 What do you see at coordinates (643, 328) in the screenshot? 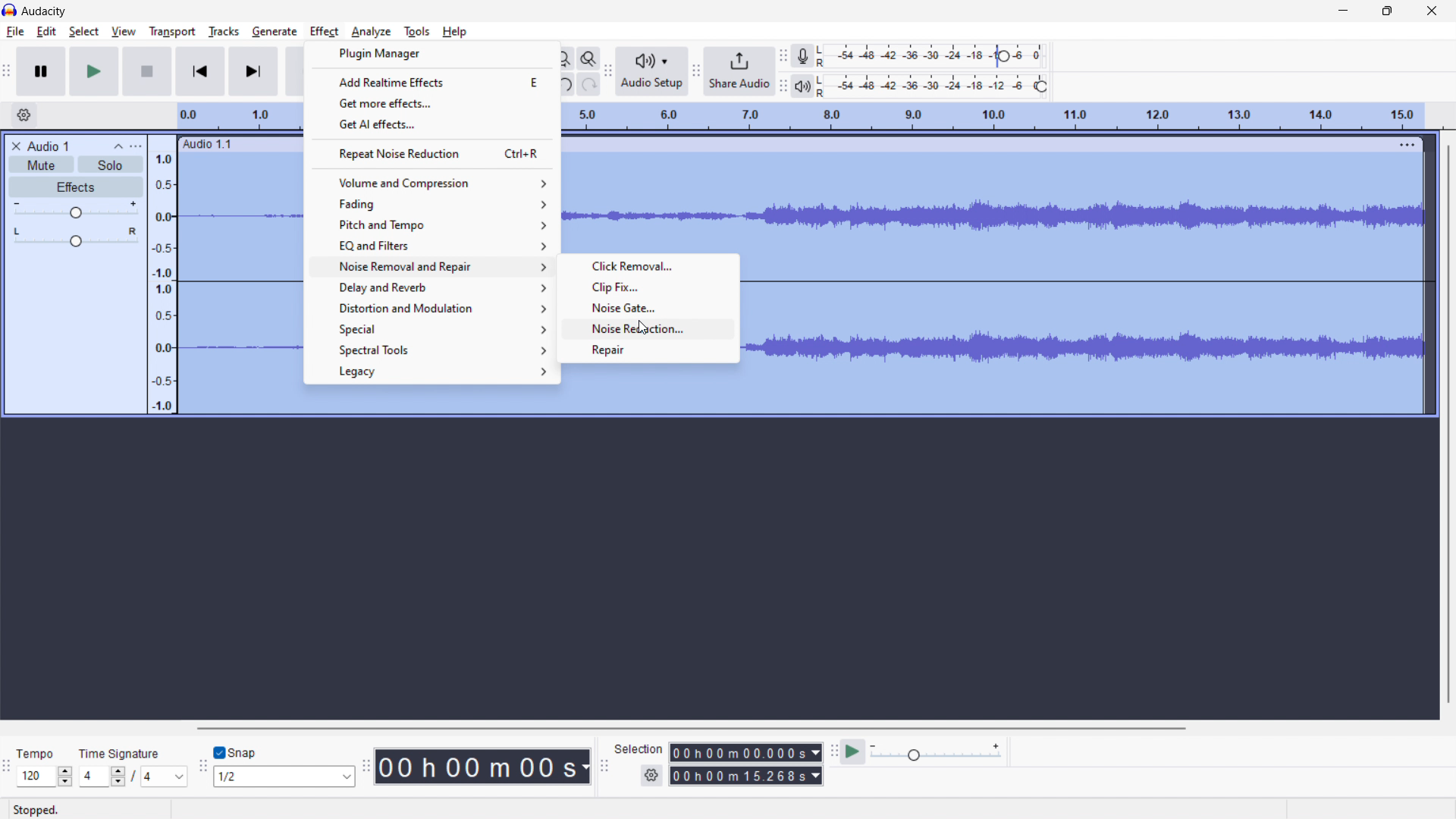
I see `cursor` at bounding box center [643, 328].